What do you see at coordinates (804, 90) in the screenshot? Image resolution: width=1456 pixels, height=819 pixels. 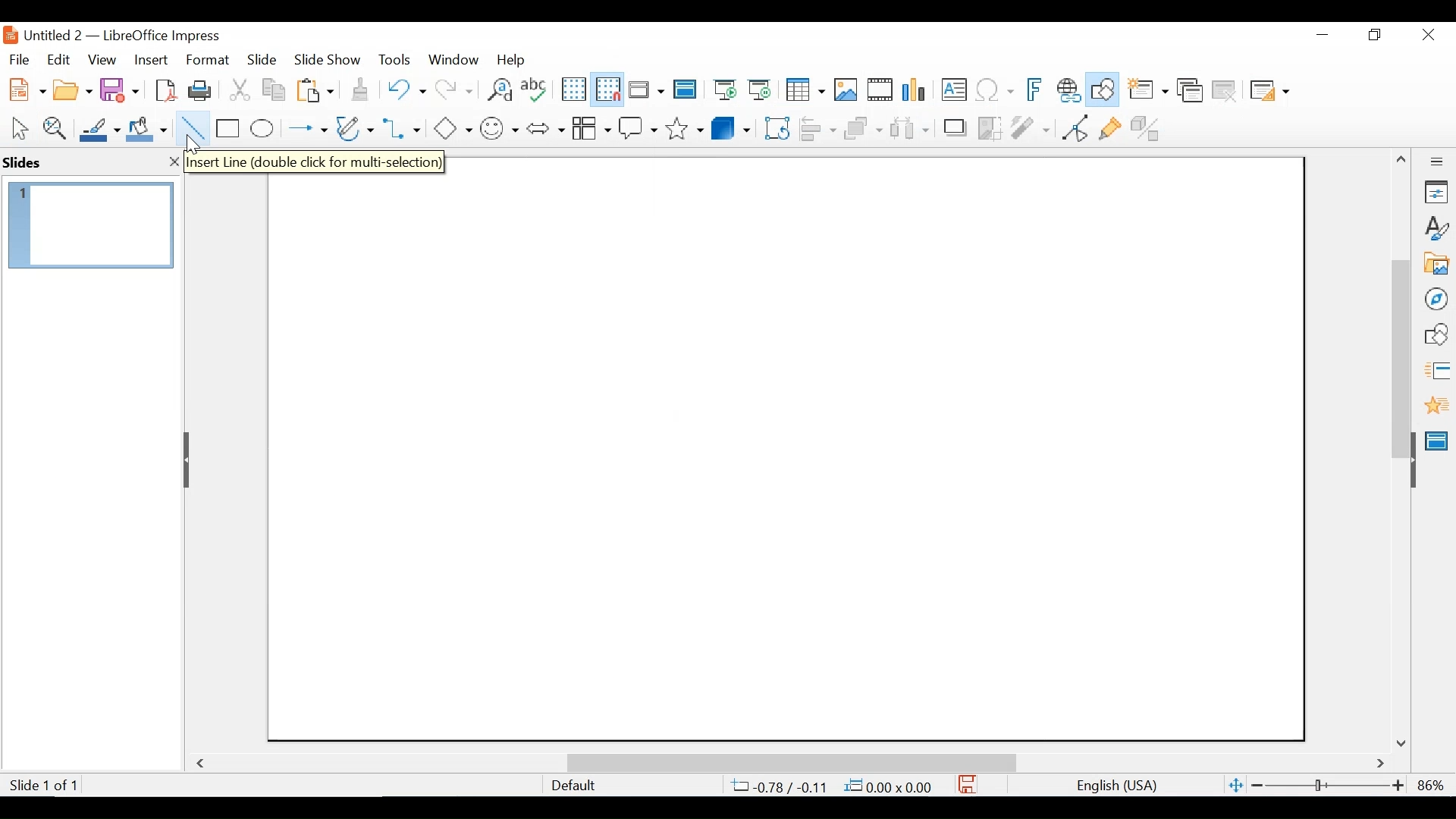 I see `Table` at bounding box center [804, 90].